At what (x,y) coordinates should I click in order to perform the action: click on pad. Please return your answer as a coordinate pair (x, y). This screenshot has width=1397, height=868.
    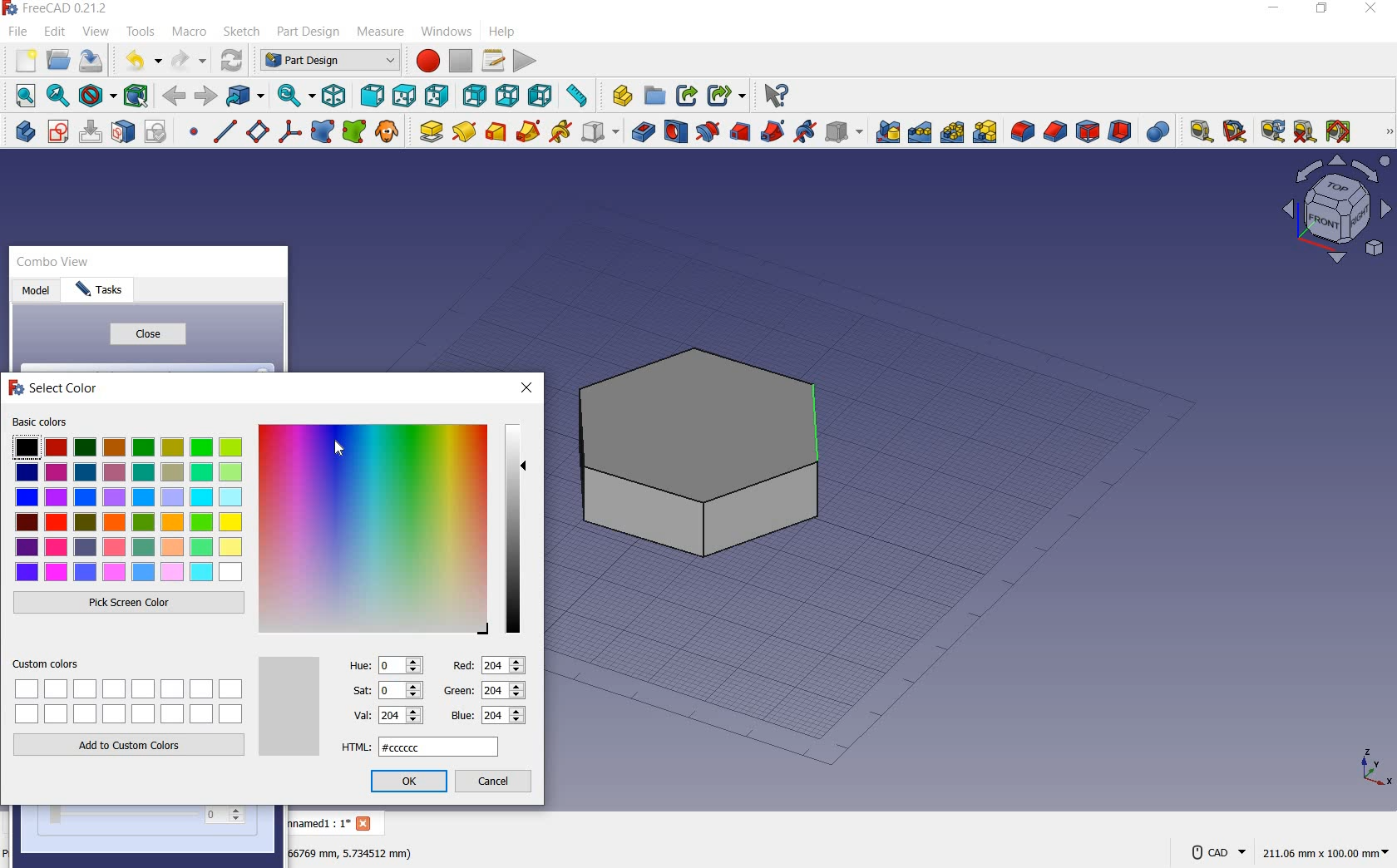
    Looking at the image, I should click on (428, 131).